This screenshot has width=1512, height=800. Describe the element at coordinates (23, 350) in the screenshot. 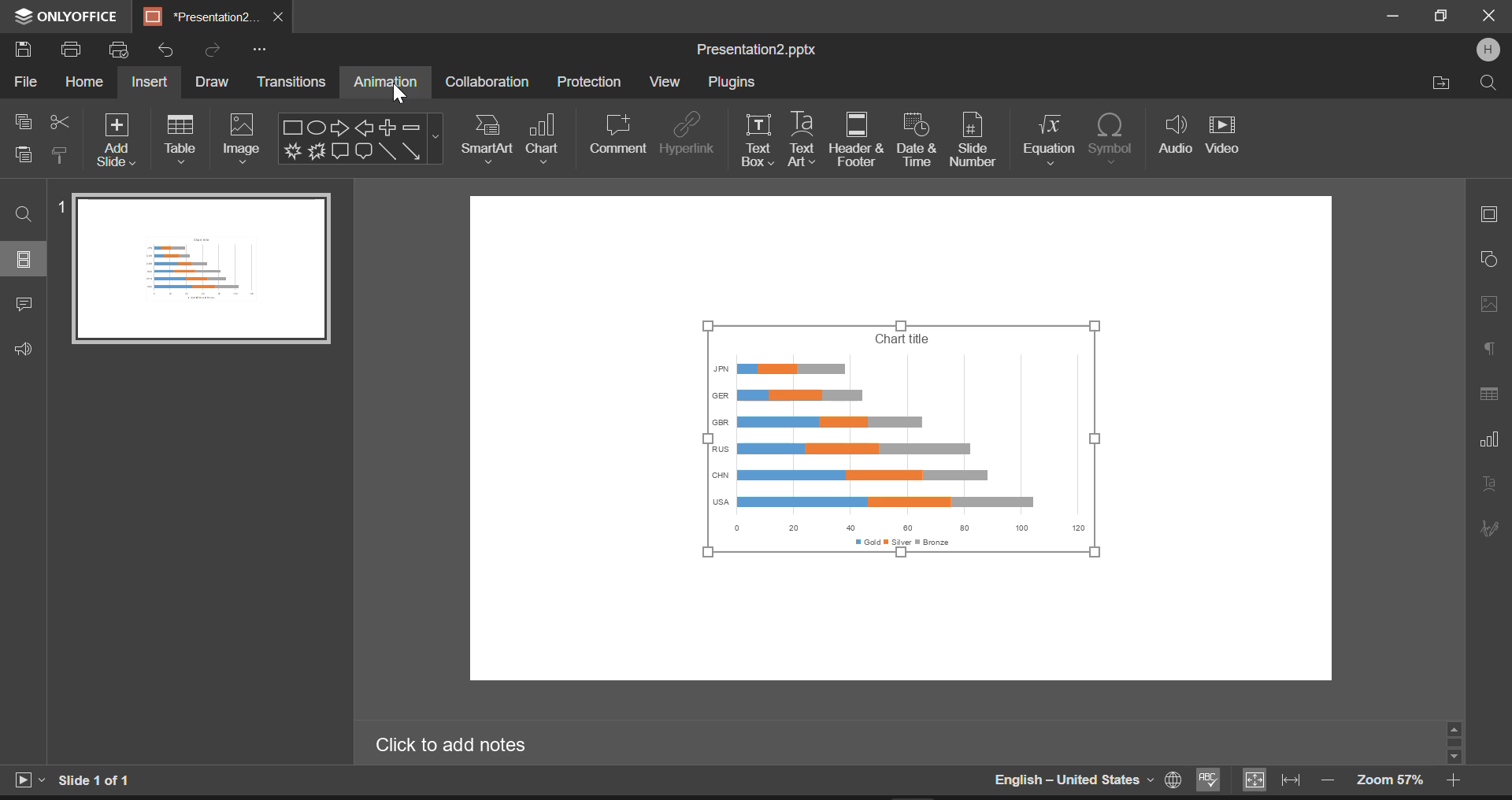

I see `Feedback & Support` at that location.